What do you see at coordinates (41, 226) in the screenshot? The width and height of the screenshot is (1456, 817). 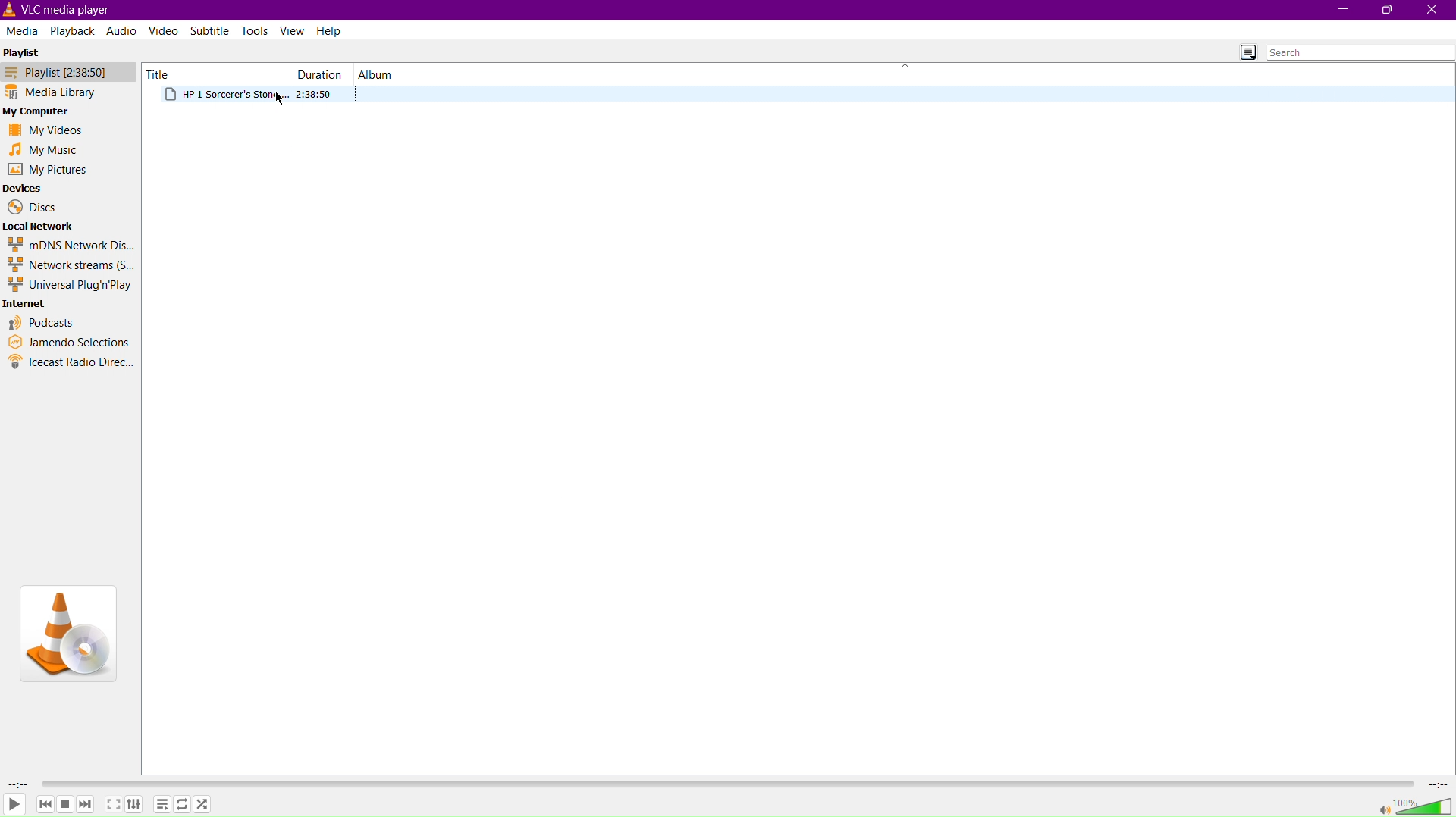 I see `Local Network` at bounding box center [41, 226].